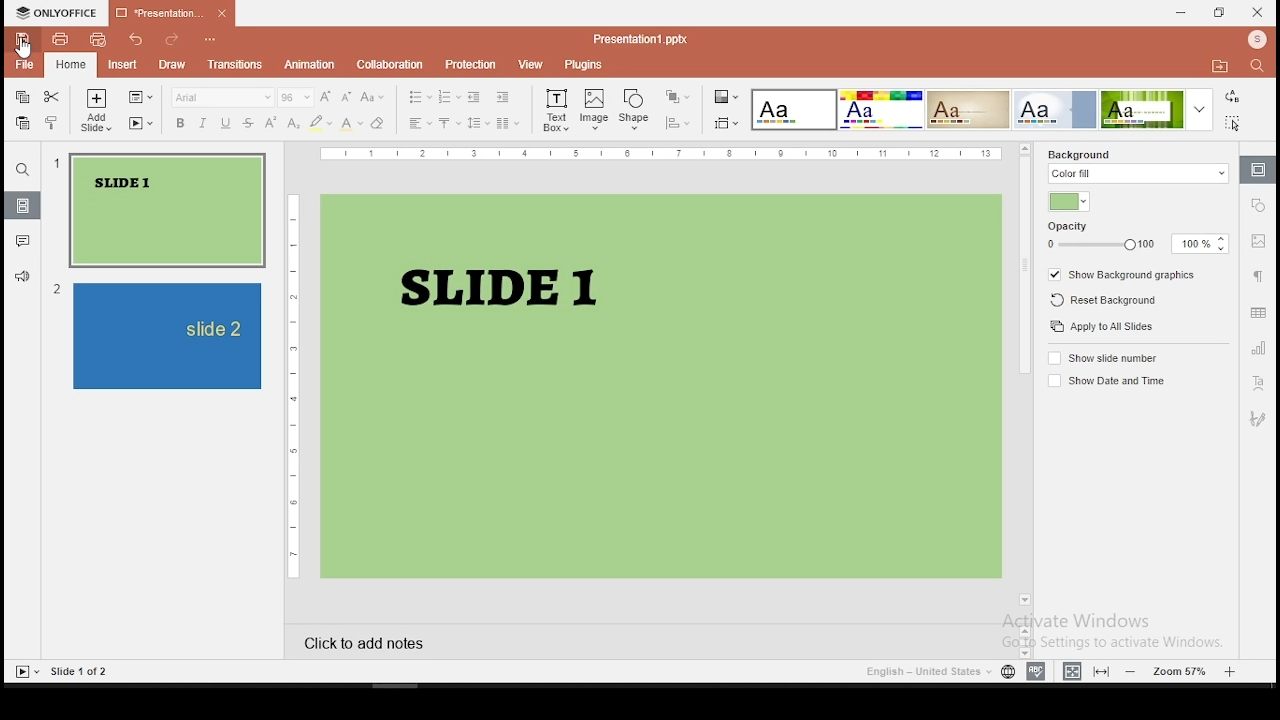 This screenshot has width=1280, height=720. Describe the element at coordinates (793, 110) in the screenshot. I see `select color theme` at that location.